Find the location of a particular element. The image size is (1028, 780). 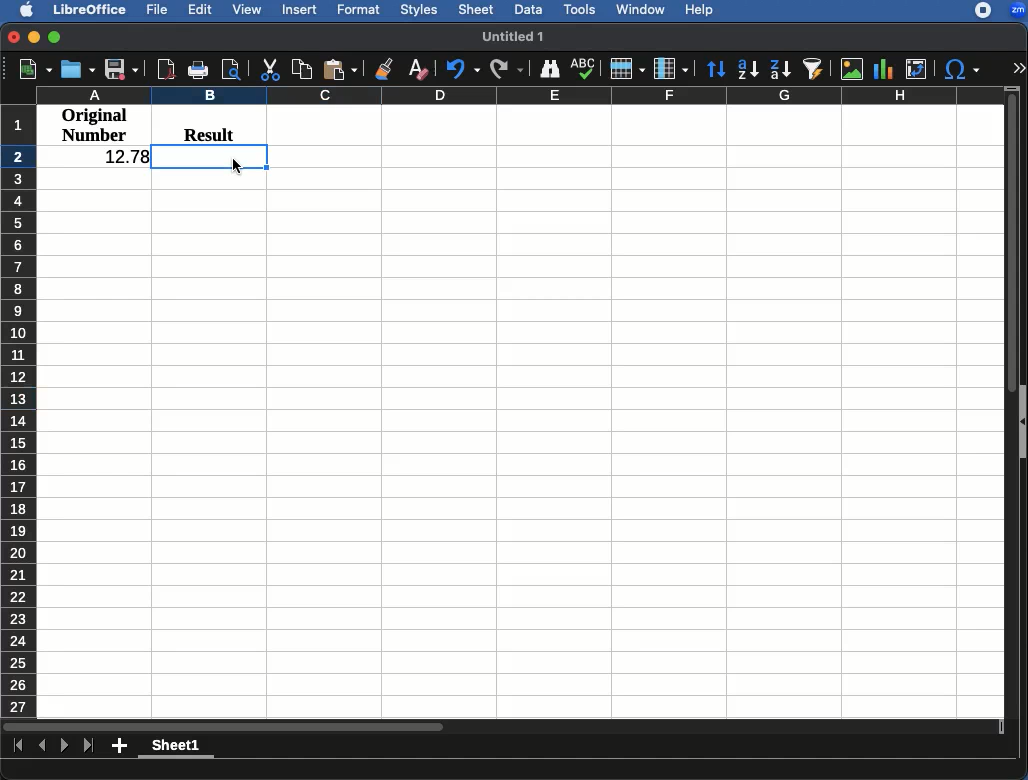

show is located at coordinates (1022, 422).